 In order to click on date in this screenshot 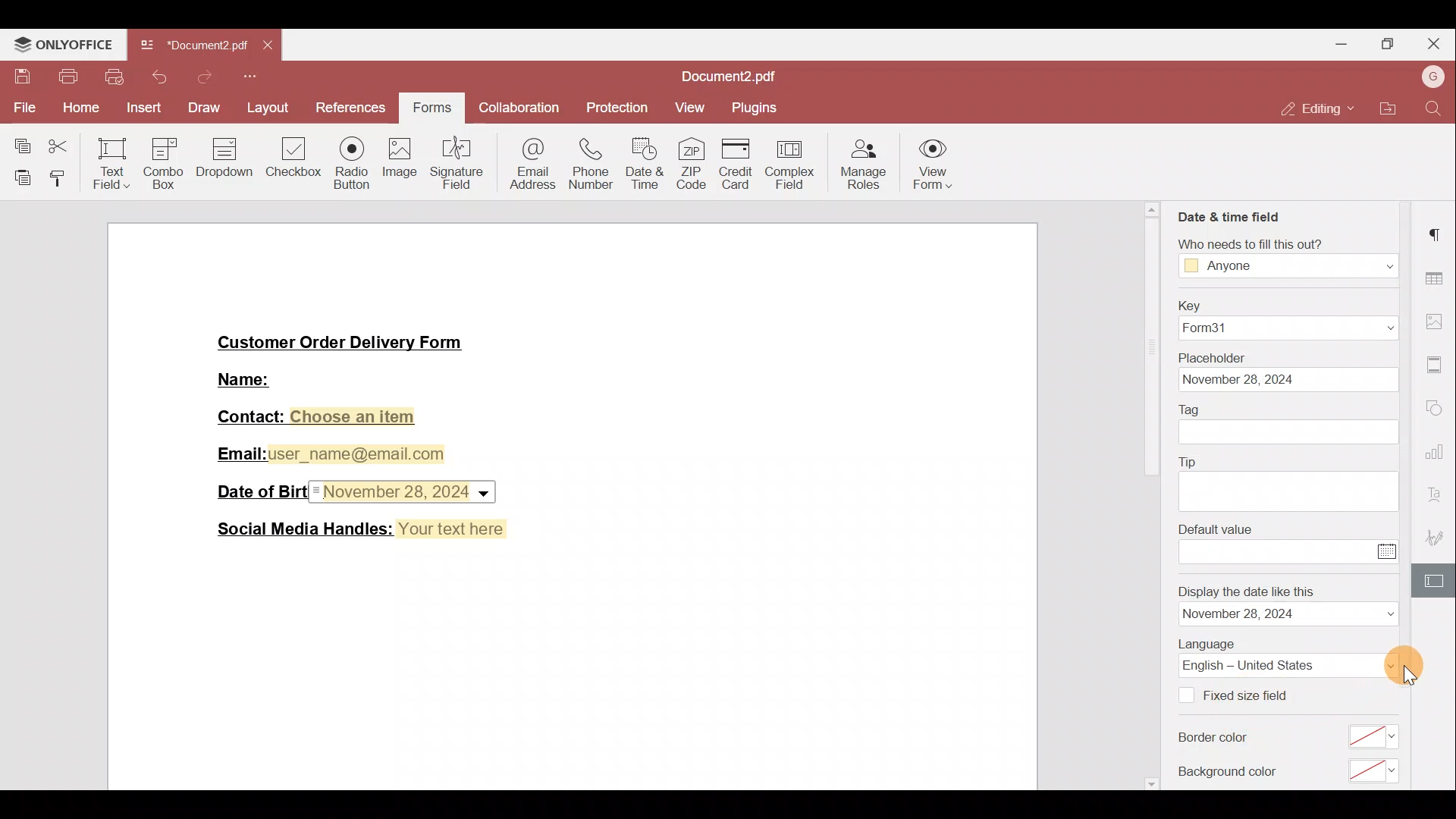, I will do `click(1290, 380)`.